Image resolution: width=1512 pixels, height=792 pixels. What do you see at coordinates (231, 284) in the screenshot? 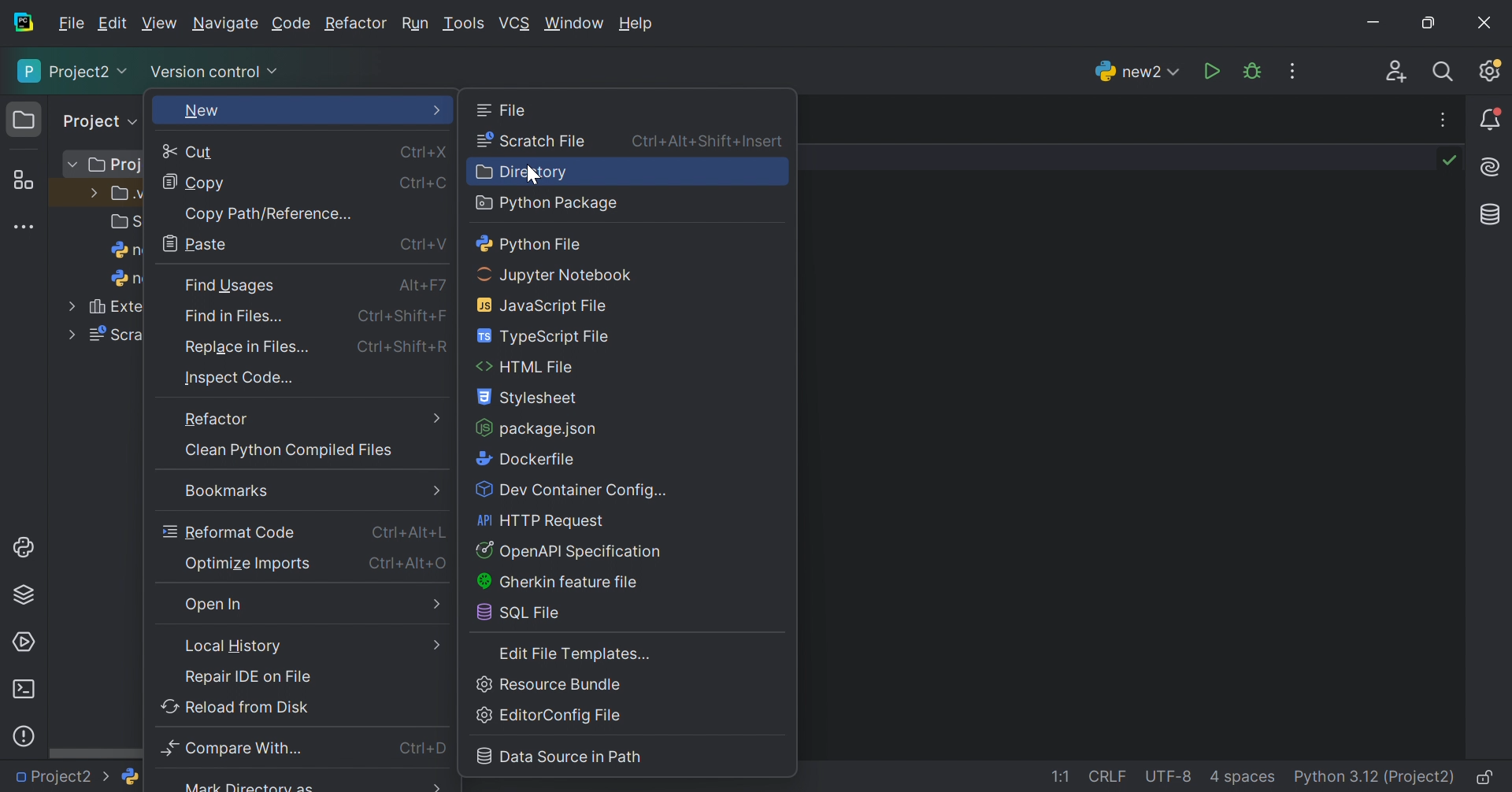
I see `Find Usages` at bounding box center [231, 284].